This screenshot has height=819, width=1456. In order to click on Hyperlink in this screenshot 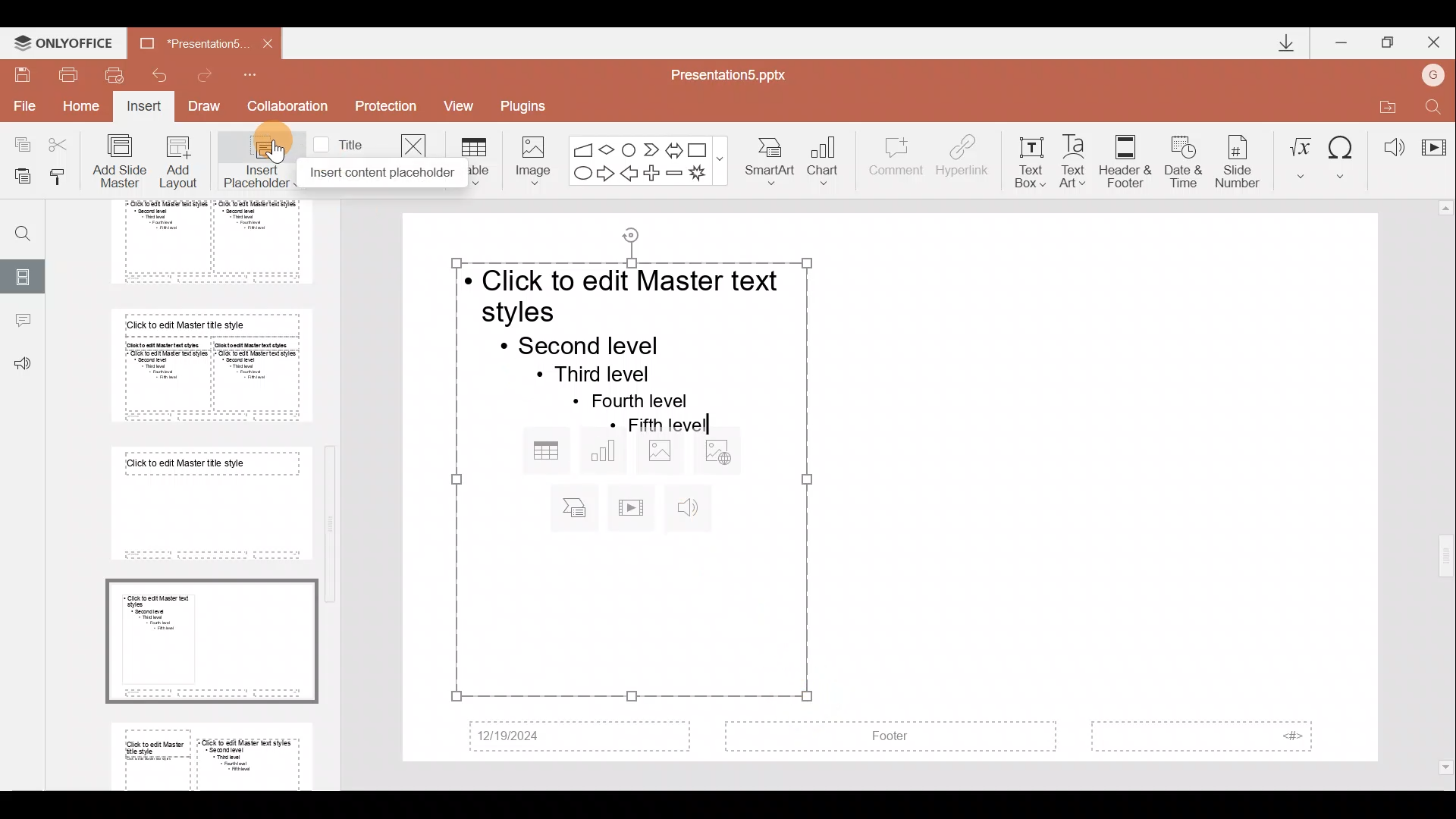, I will do `click(964, 158)`.